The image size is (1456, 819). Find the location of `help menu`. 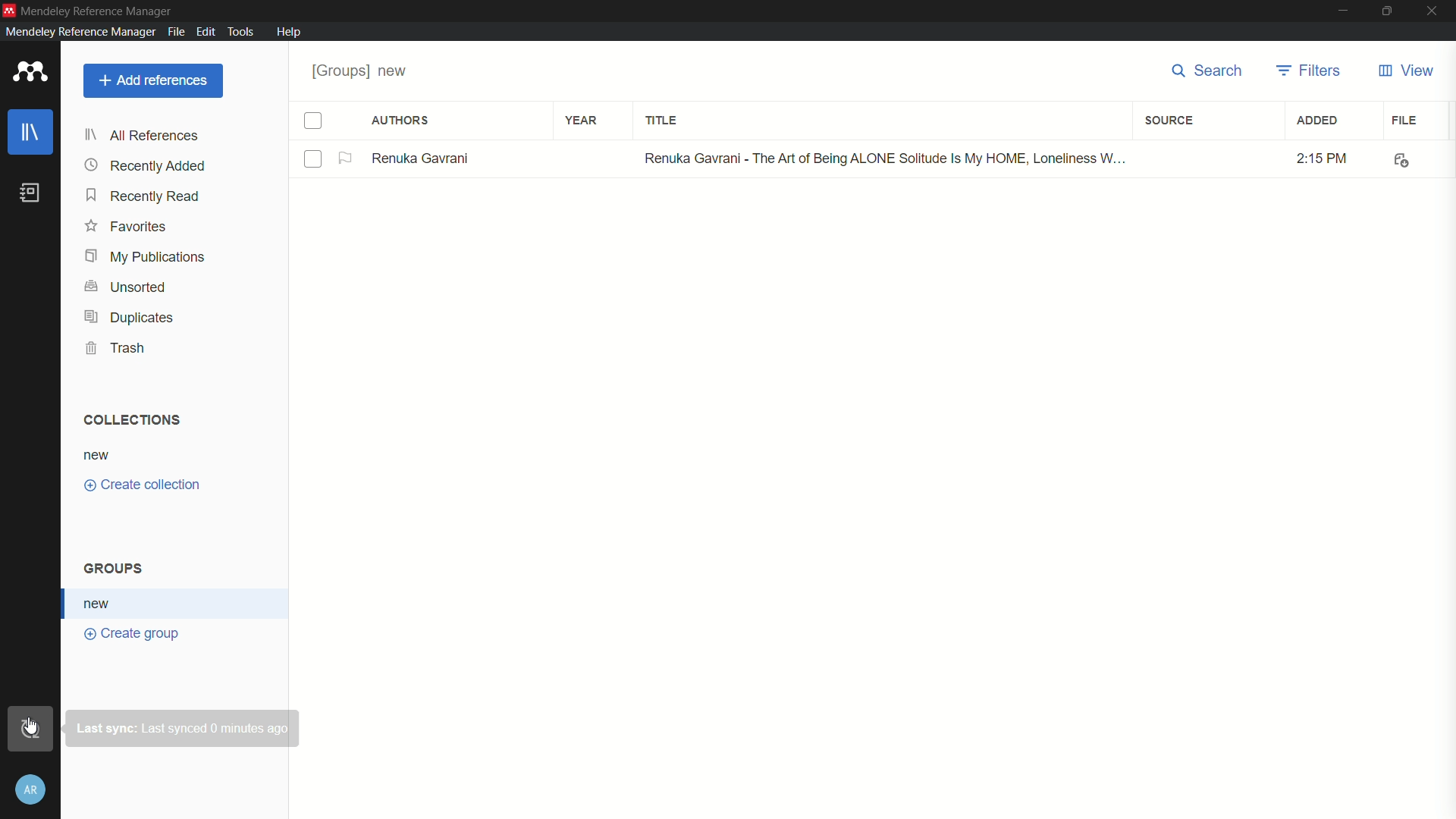

help menu is located at coordinates (290, 33).